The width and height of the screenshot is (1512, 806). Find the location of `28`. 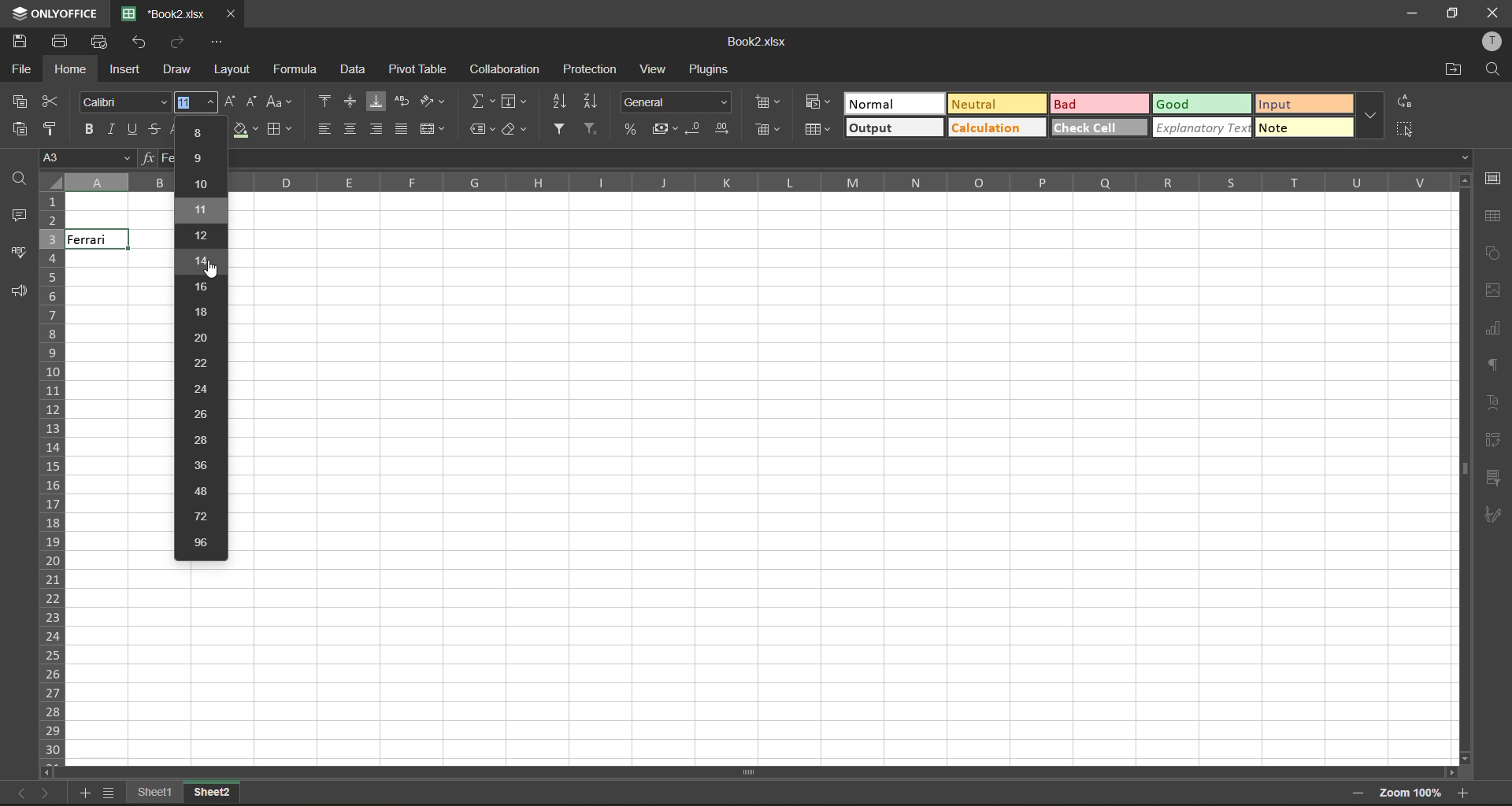

28 is located at coordinates (201, 442).